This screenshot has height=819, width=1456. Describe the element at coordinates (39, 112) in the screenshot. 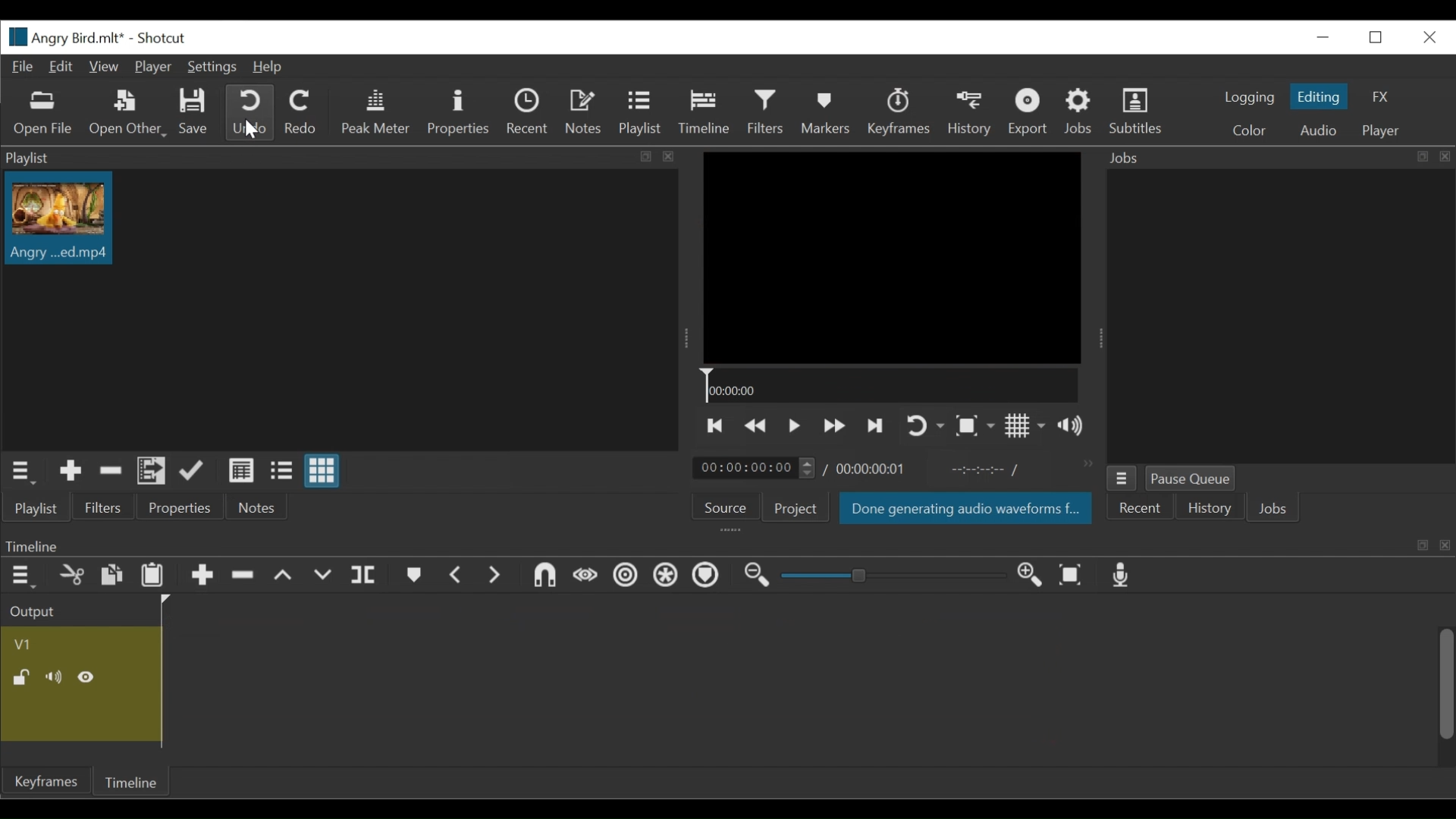

I see `Open File` at that location.